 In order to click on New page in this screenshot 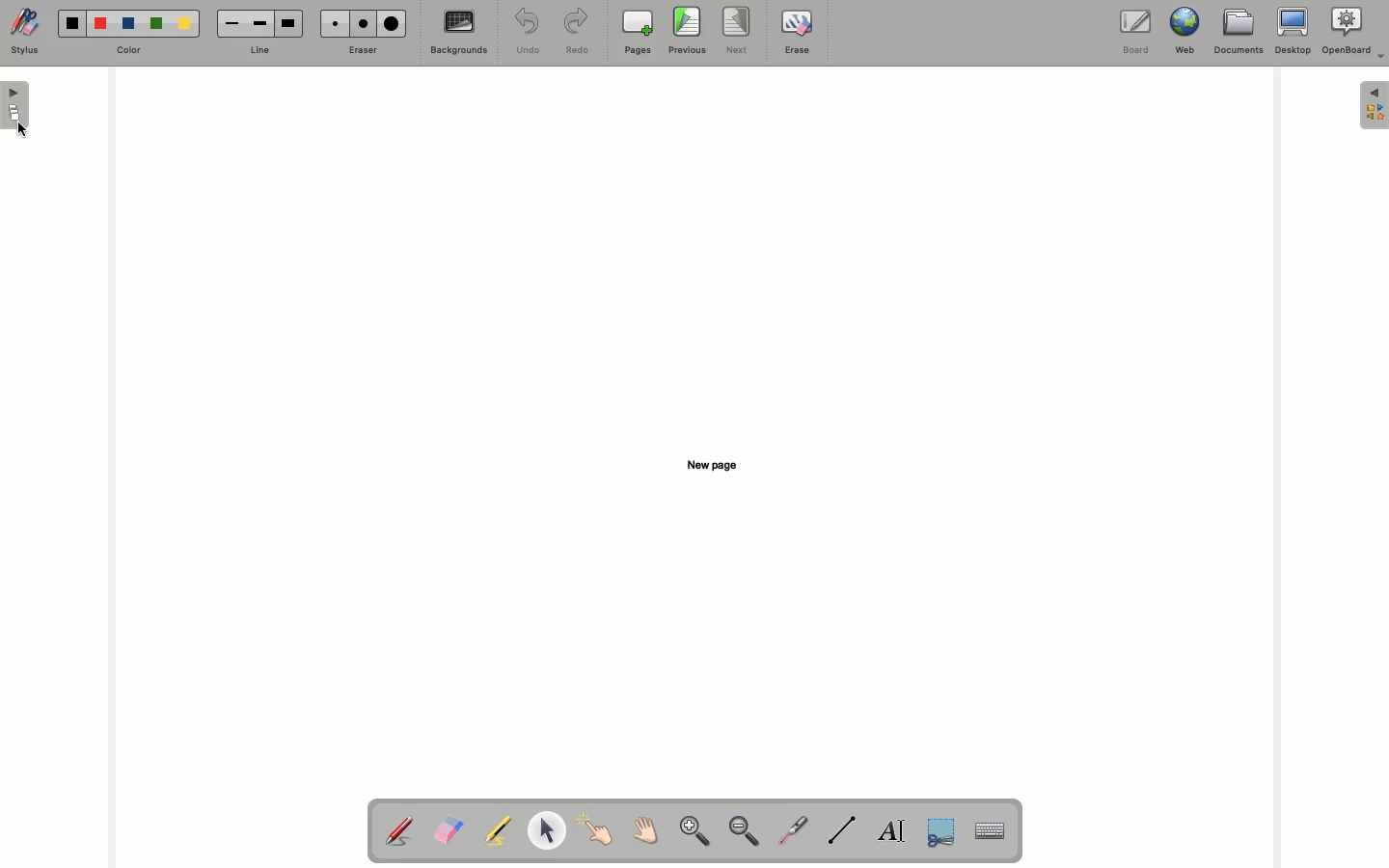, I will do `click(713, 465)`.